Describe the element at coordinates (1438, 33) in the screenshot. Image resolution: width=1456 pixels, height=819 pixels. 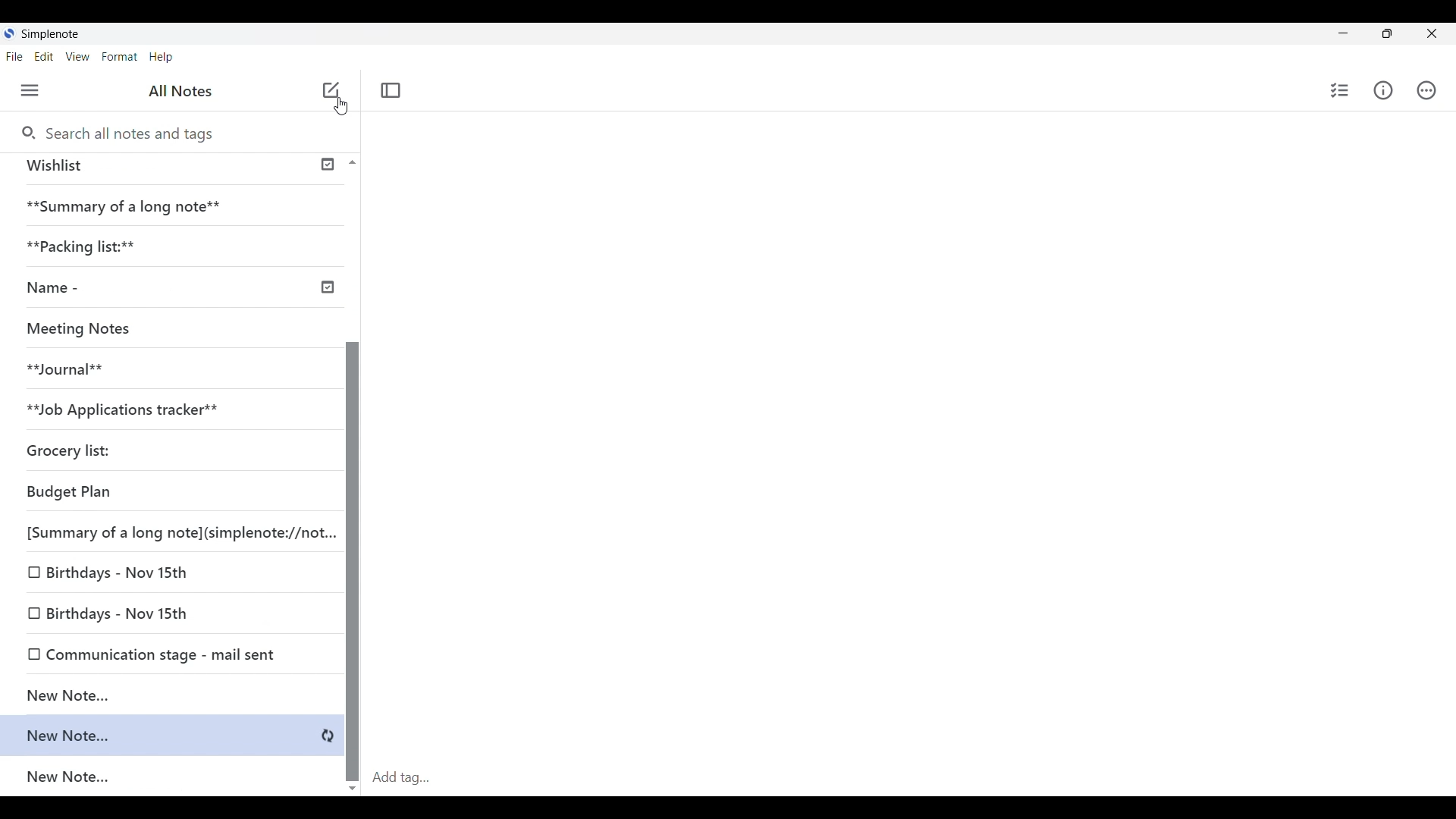
I see `Close` at that location.